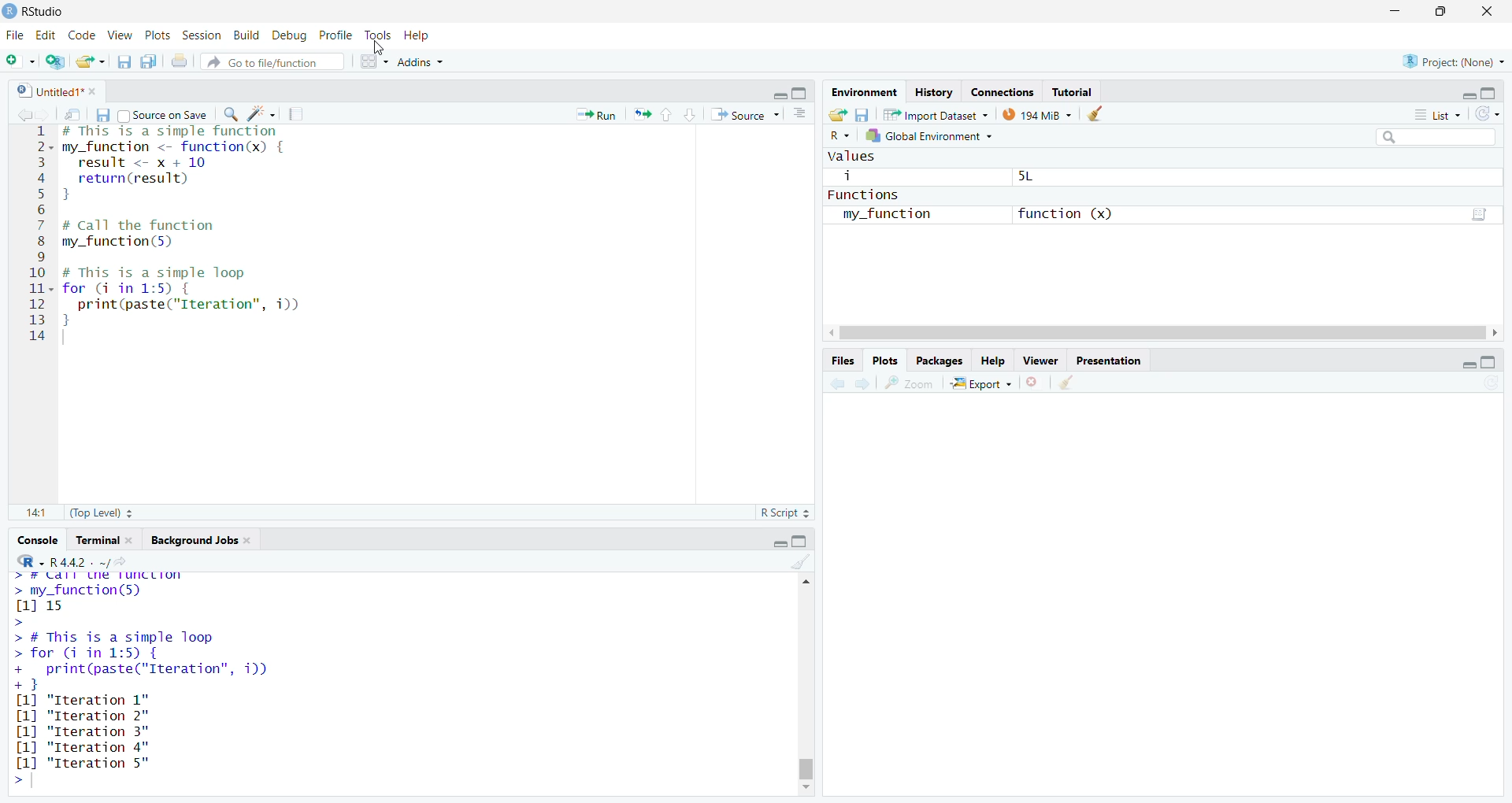 This screenshot has width=1512, height=803. Describe the element at coordinates (833, 333) in the screenshot. I see `move left` at that location.